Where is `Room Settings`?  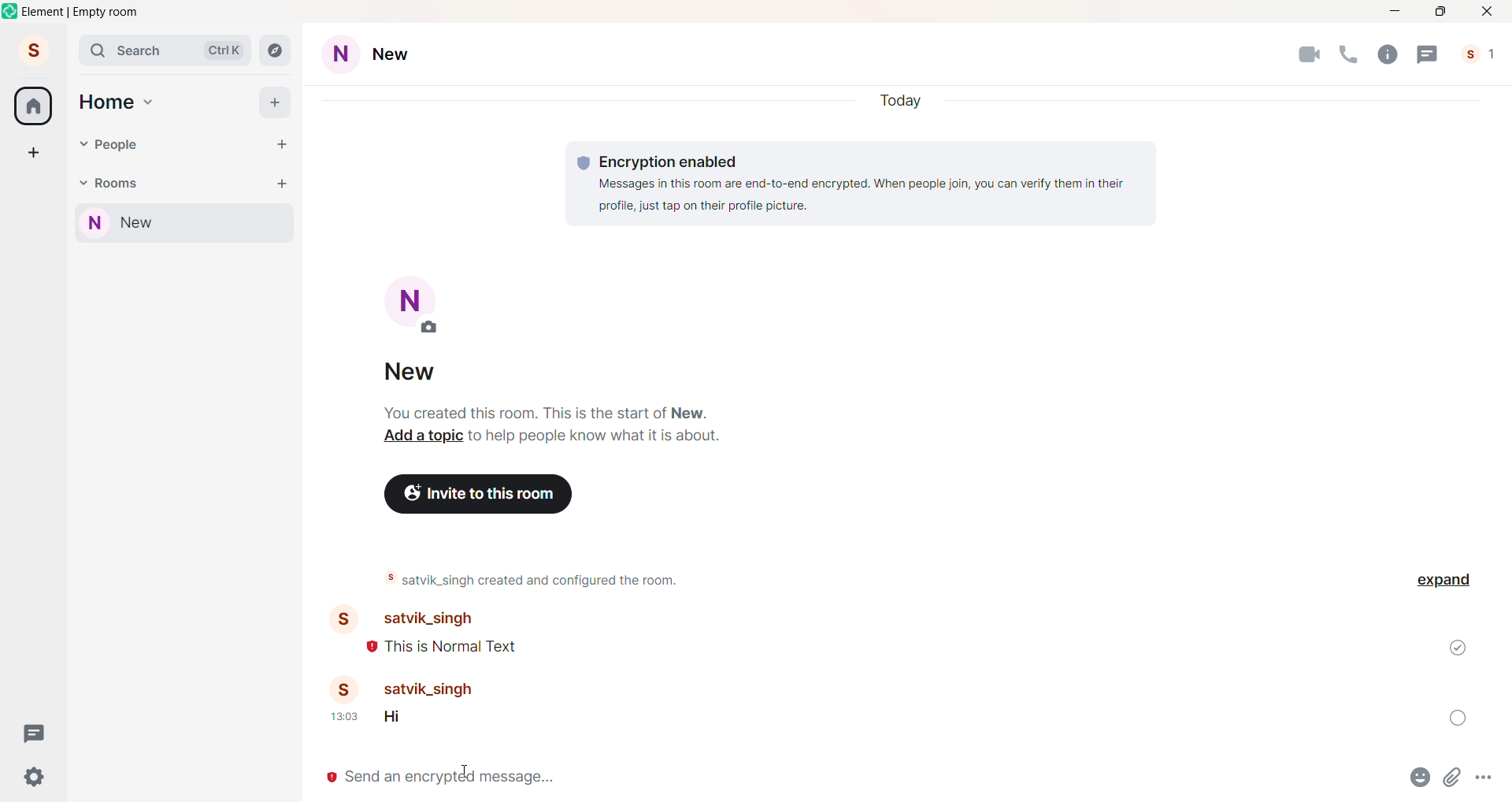
Room Settings is located at coordinates (383, 55).